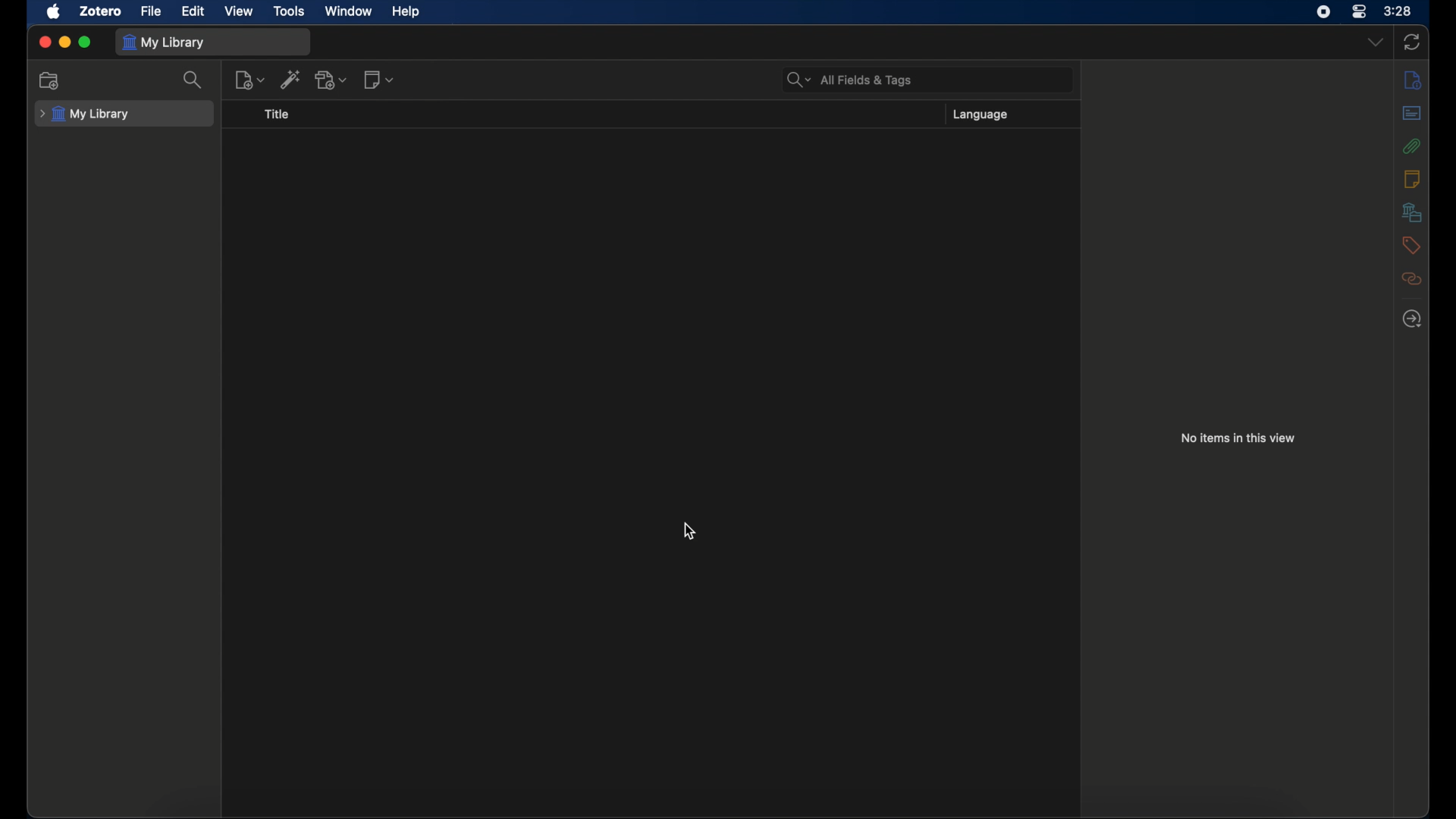 This screenshot has width=1456, height=819. I want to click on maximize, so click(87, 42).